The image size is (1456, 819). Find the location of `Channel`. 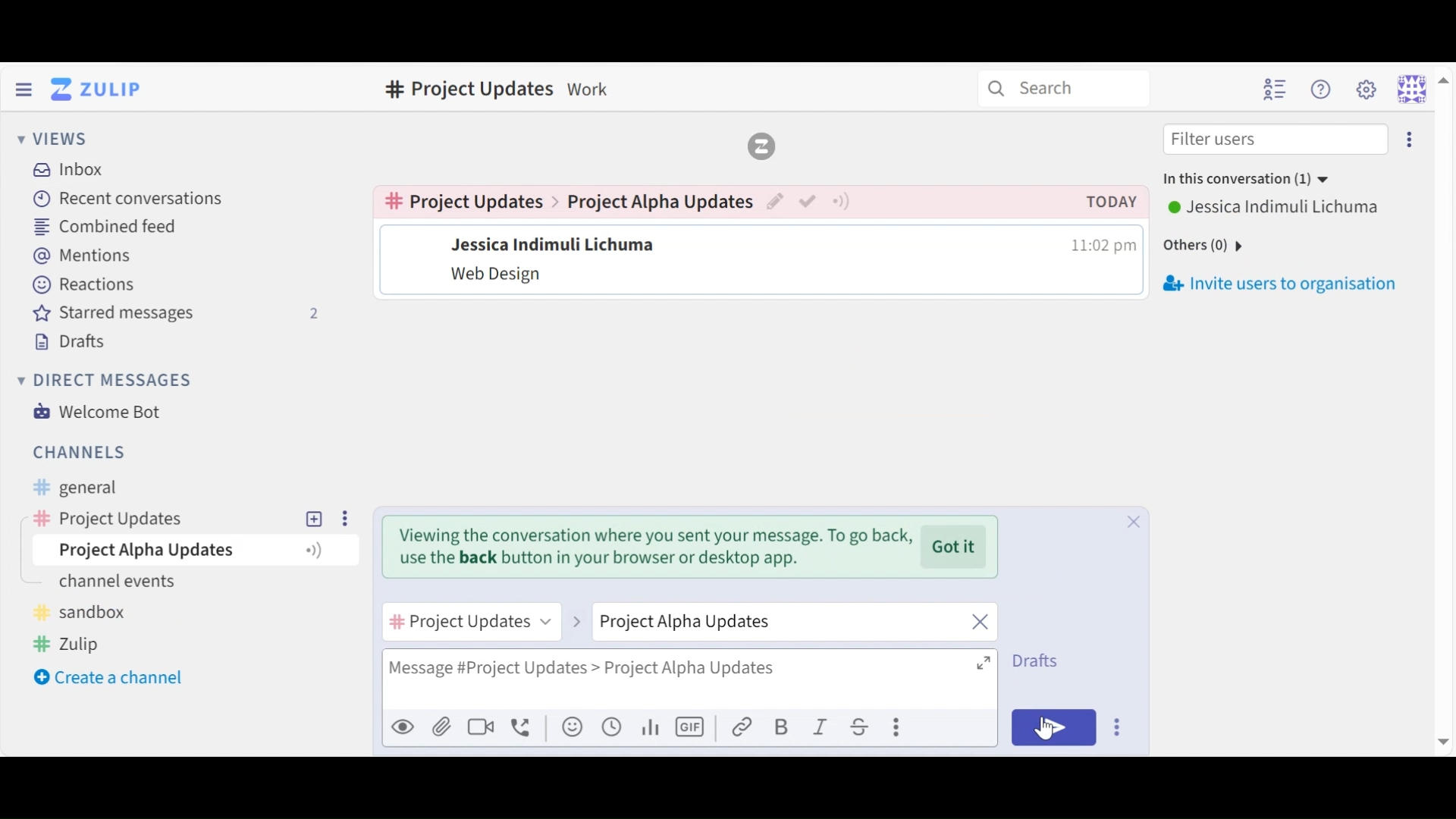

Channel is located at coordinates (80, 451).